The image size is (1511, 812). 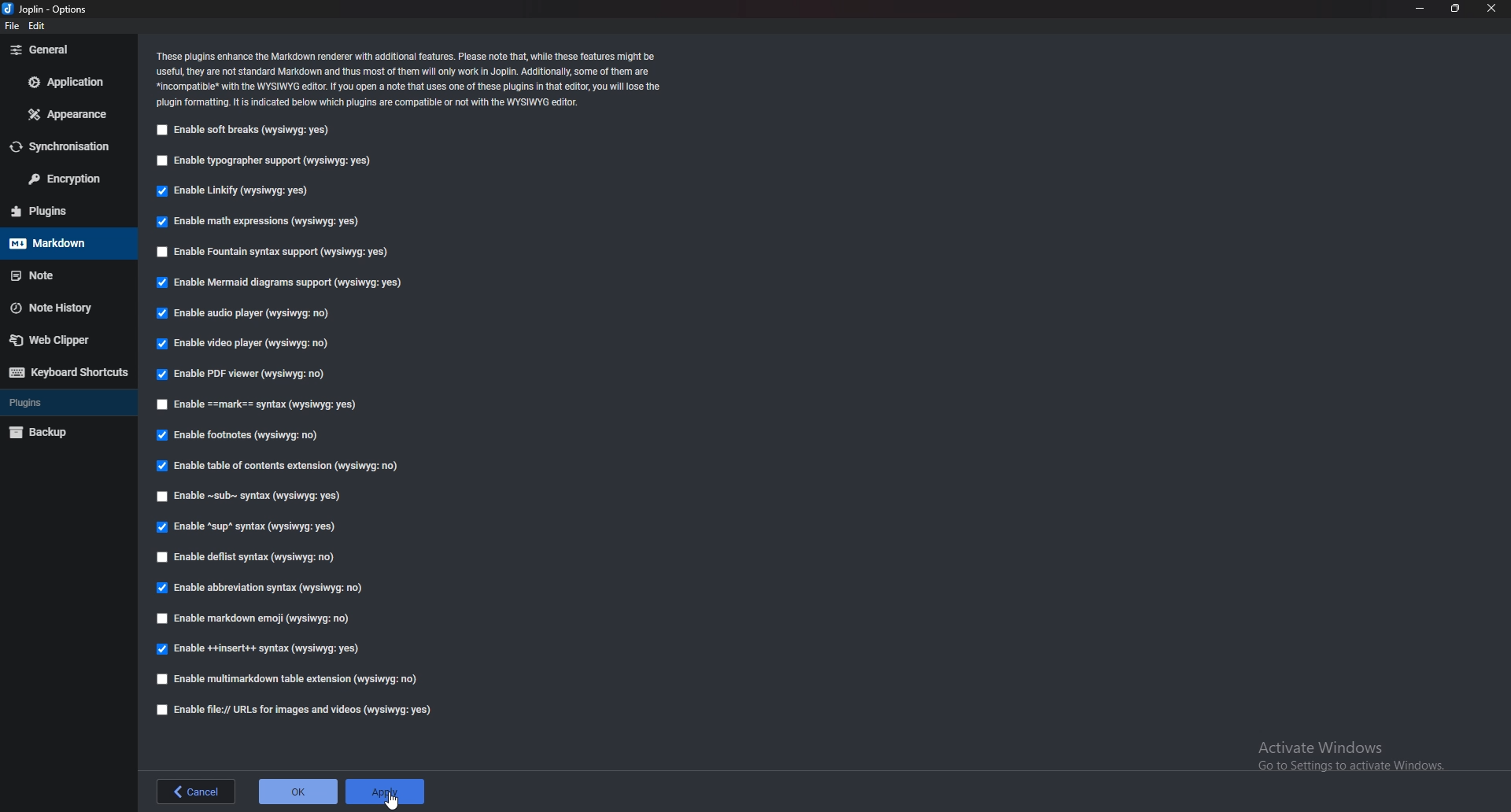 I want to click on Web clipper, so click(x=62, y=341).